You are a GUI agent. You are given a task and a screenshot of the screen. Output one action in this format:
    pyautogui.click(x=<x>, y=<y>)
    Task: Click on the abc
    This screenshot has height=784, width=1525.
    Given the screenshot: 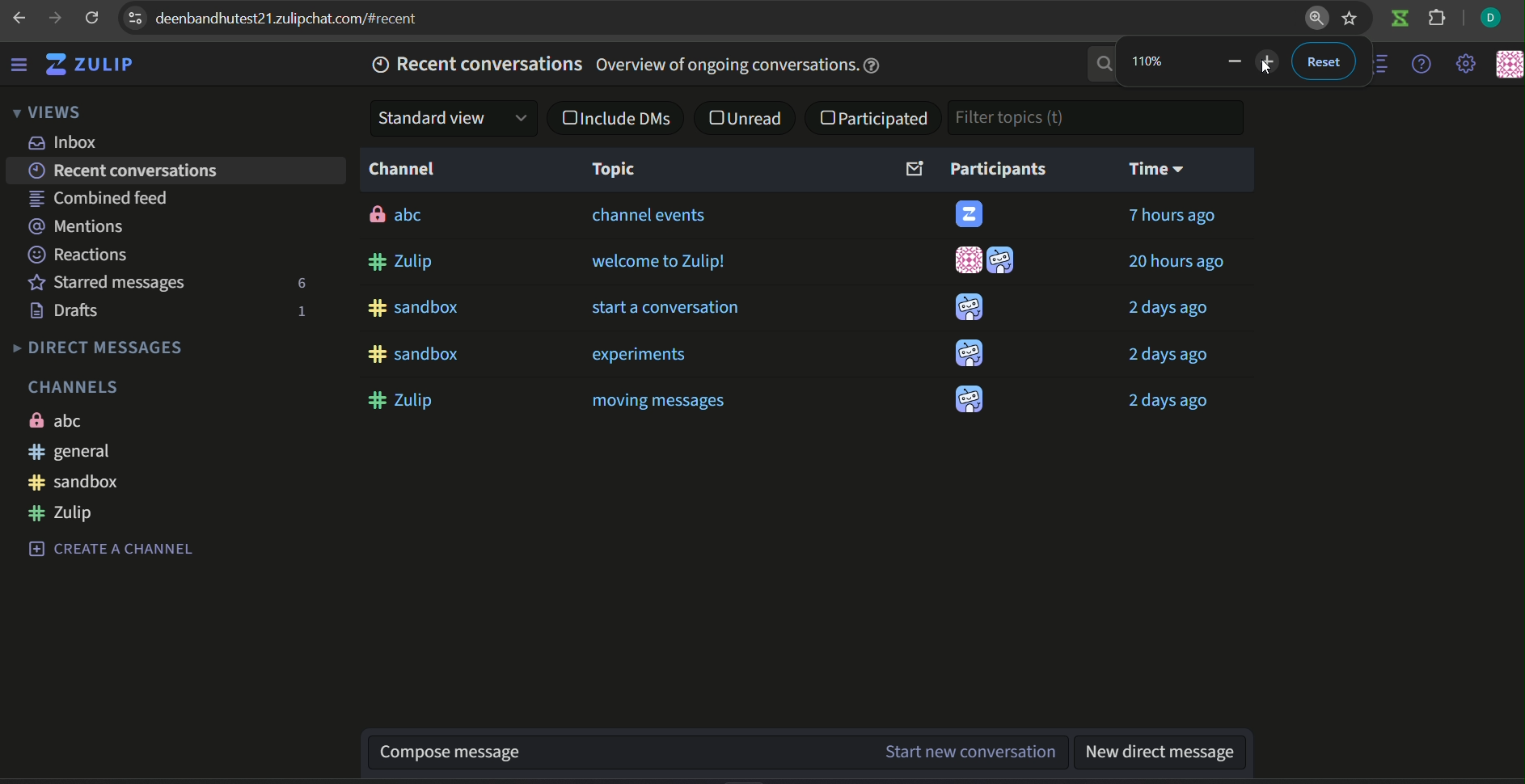 What is the action you would take?
    pyautogui.click(x=399, y=215)
    